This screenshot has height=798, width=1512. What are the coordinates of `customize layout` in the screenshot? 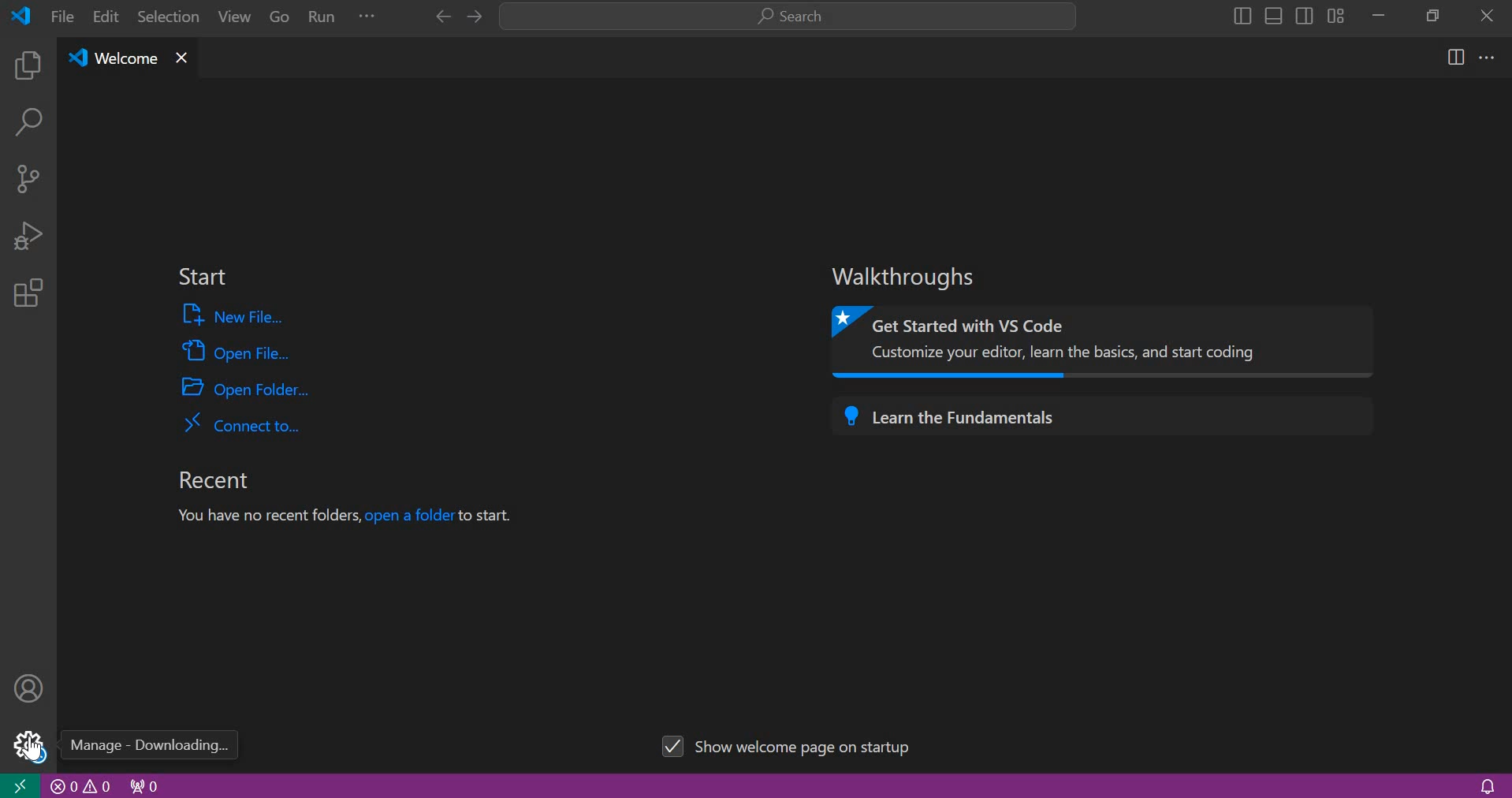 It's located at (1335, 15).